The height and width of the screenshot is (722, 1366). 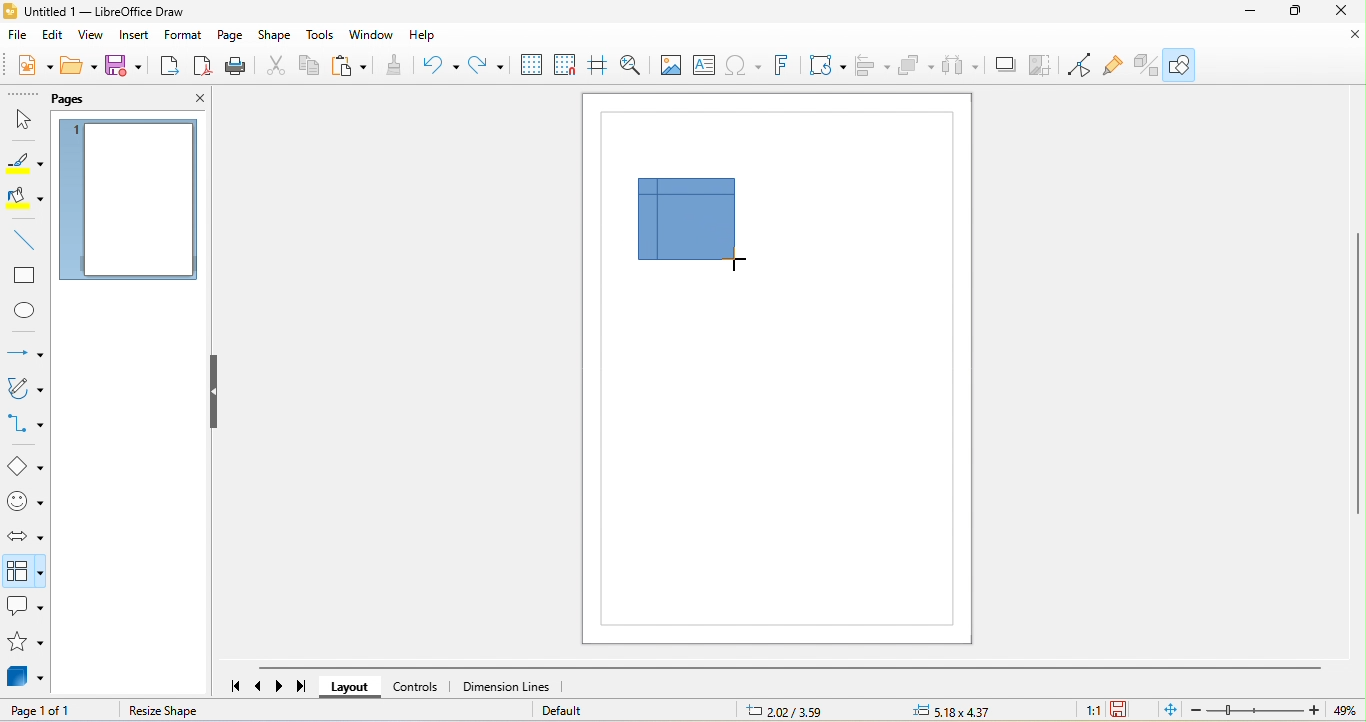 I want to click on connectors, so click(x=26, y=425).